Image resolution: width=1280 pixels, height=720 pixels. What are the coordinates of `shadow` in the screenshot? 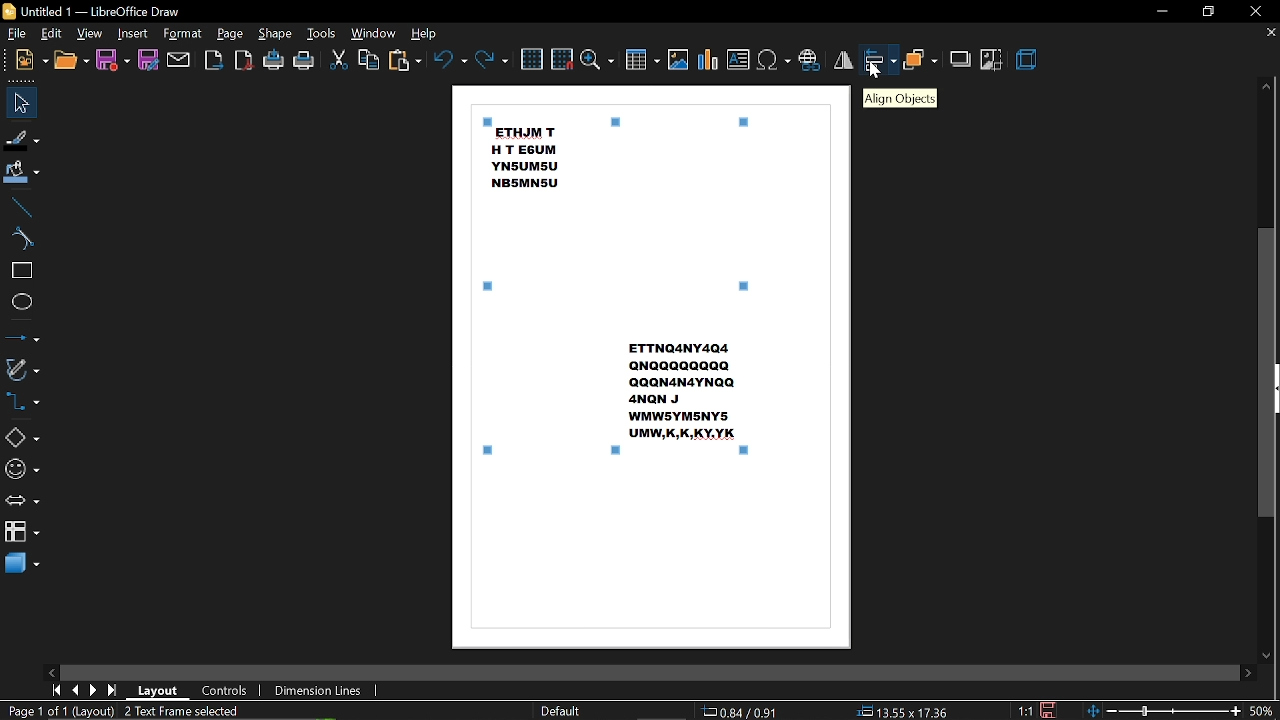 It's located at (960, 59).